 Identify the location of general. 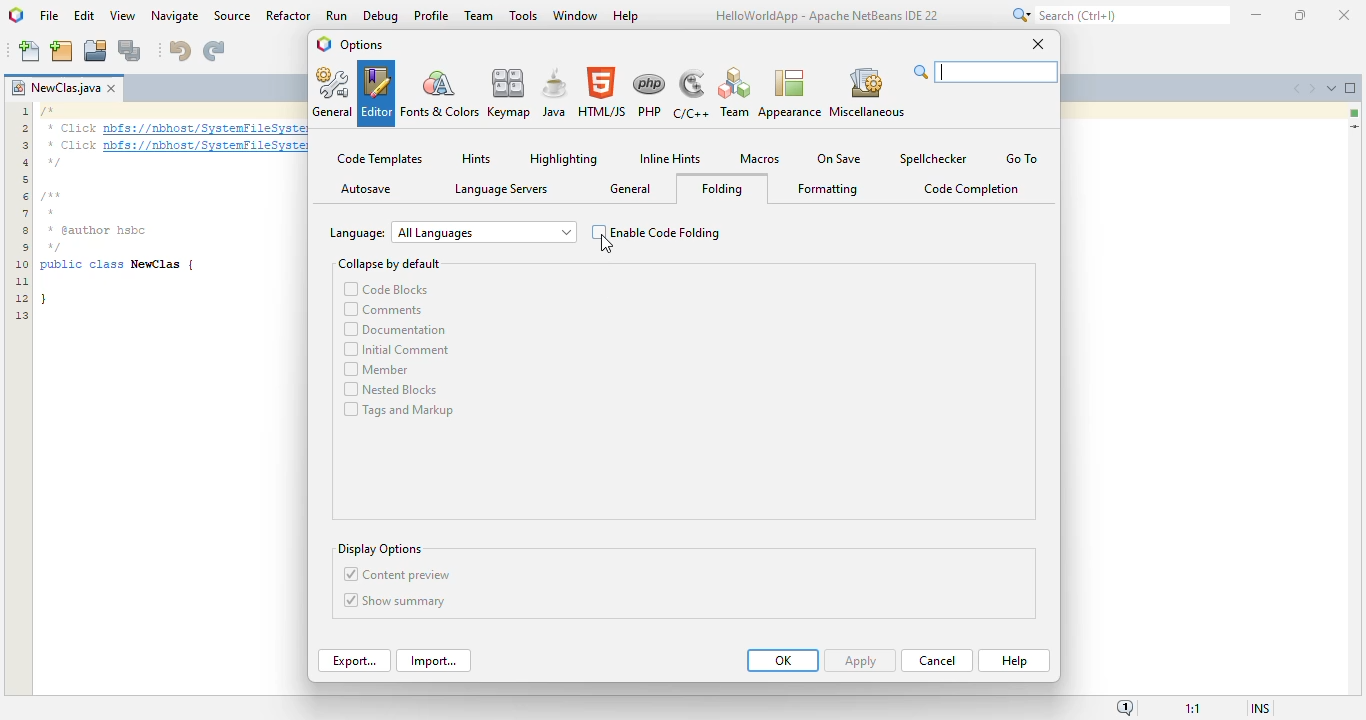
(631, 189).